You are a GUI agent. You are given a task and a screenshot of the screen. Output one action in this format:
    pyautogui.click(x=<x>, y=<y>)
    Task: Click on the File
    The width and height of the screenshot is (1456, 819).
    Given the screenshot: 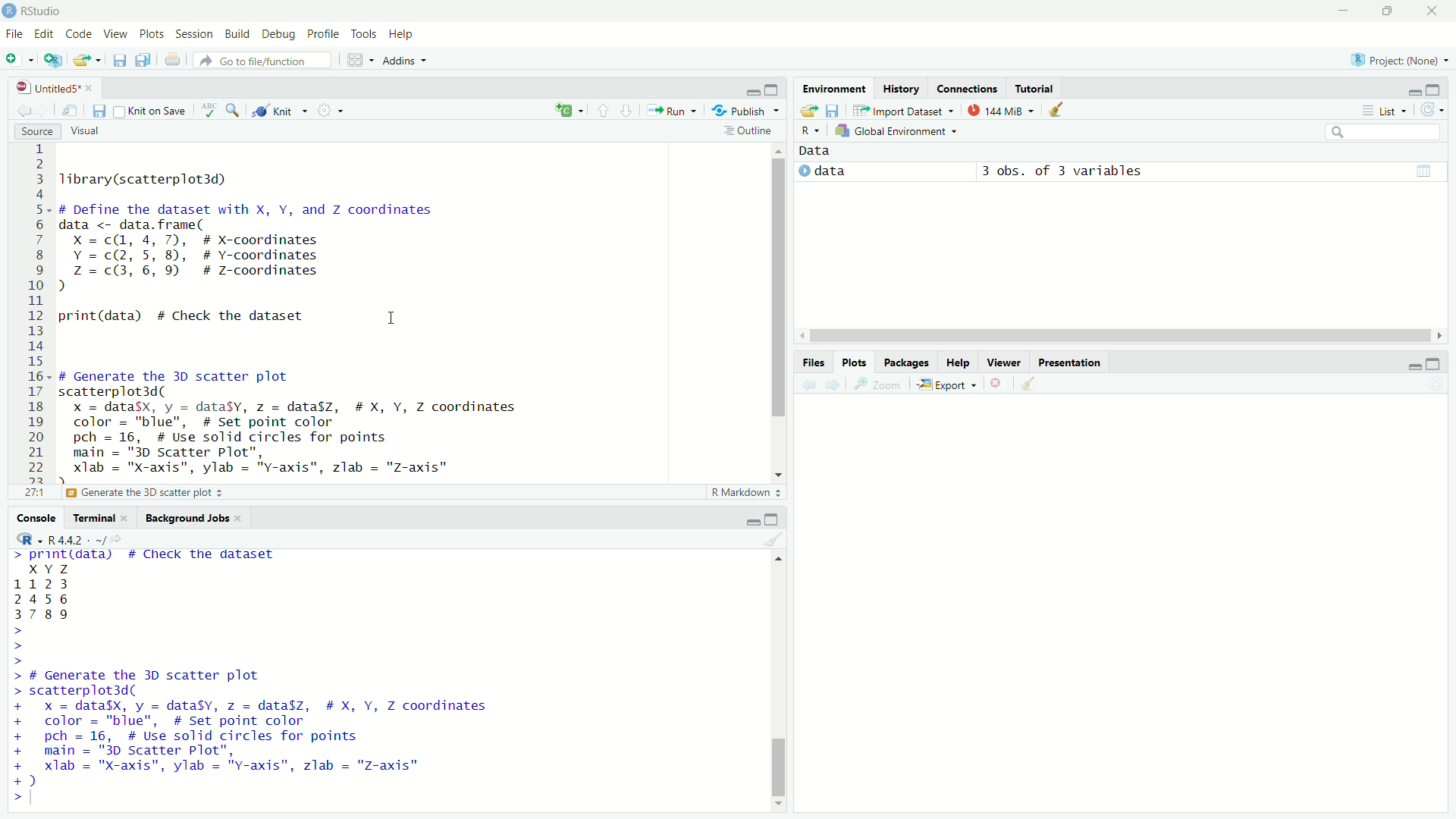 What is the action you would take?
    pyautogui.click(x=14, y=34)
    